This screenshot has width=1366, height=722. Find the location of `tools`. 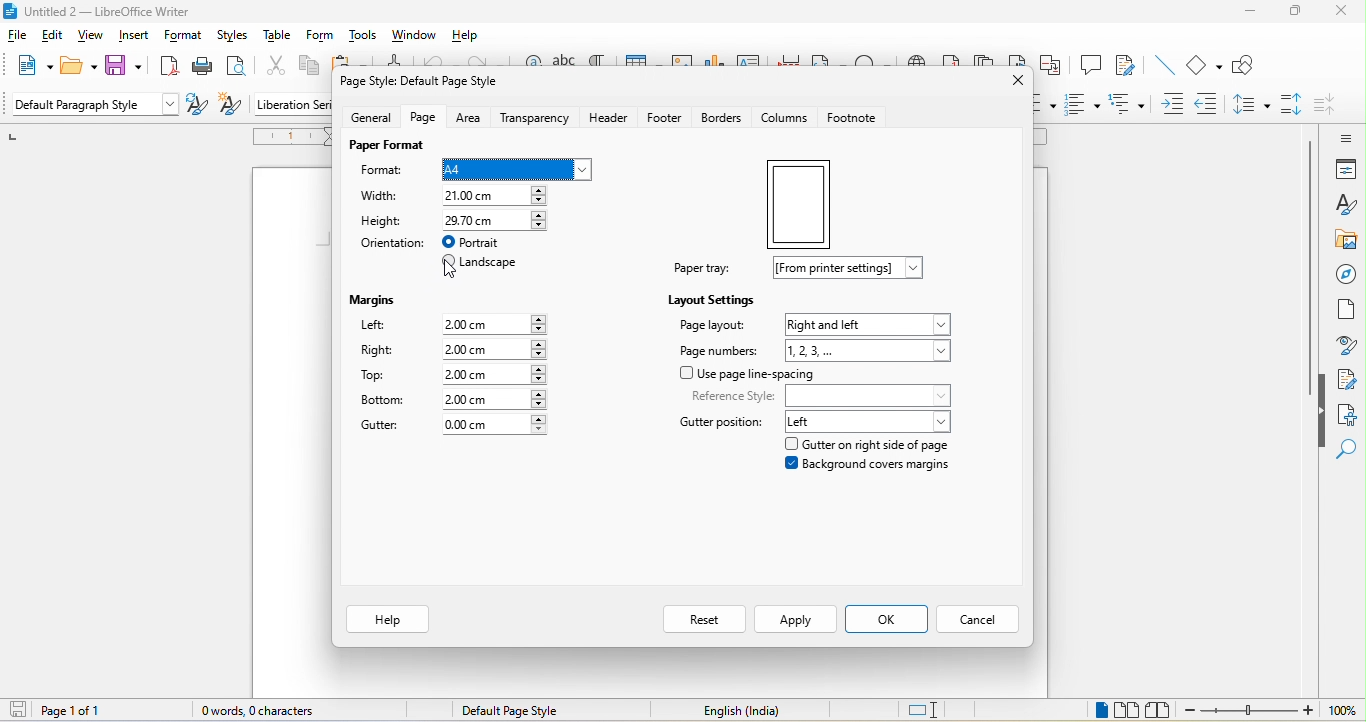

tools is located at coordinates (365, 38).